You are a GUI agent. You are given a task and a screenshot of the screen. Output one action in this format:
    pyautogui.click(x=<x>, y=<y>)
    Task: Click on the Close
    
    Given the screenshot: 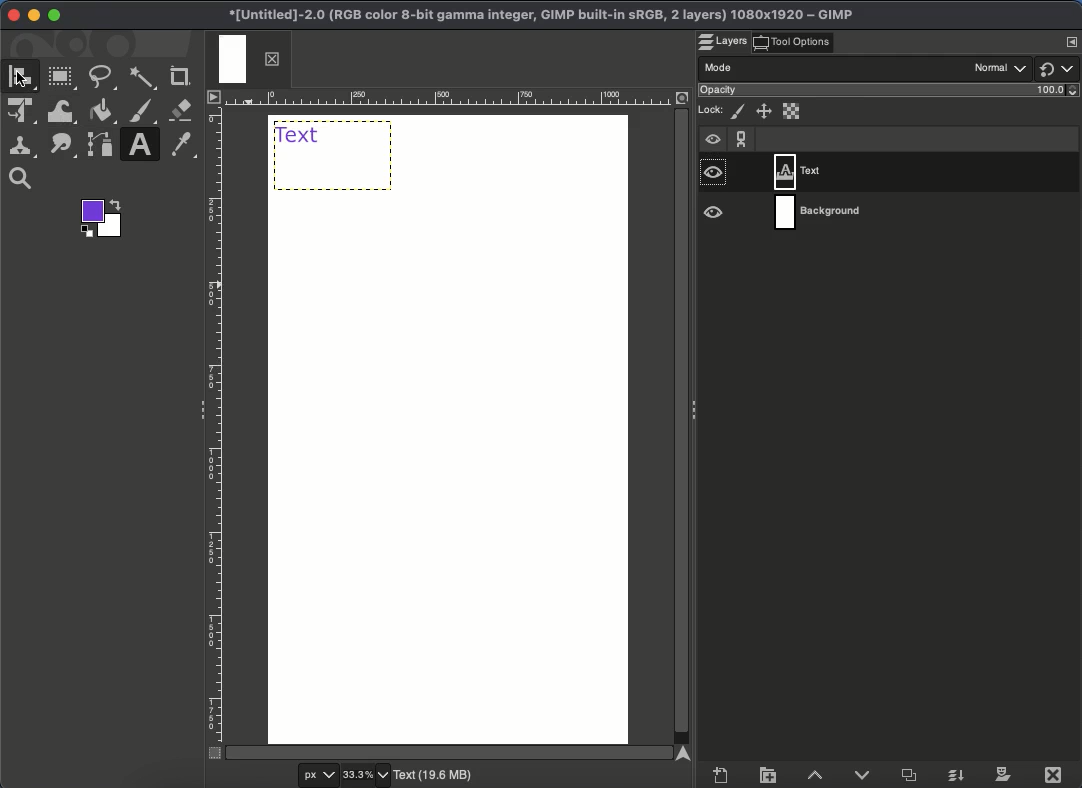 What is the action you would take?
    pyautogui.click(x=13, y=15)
    